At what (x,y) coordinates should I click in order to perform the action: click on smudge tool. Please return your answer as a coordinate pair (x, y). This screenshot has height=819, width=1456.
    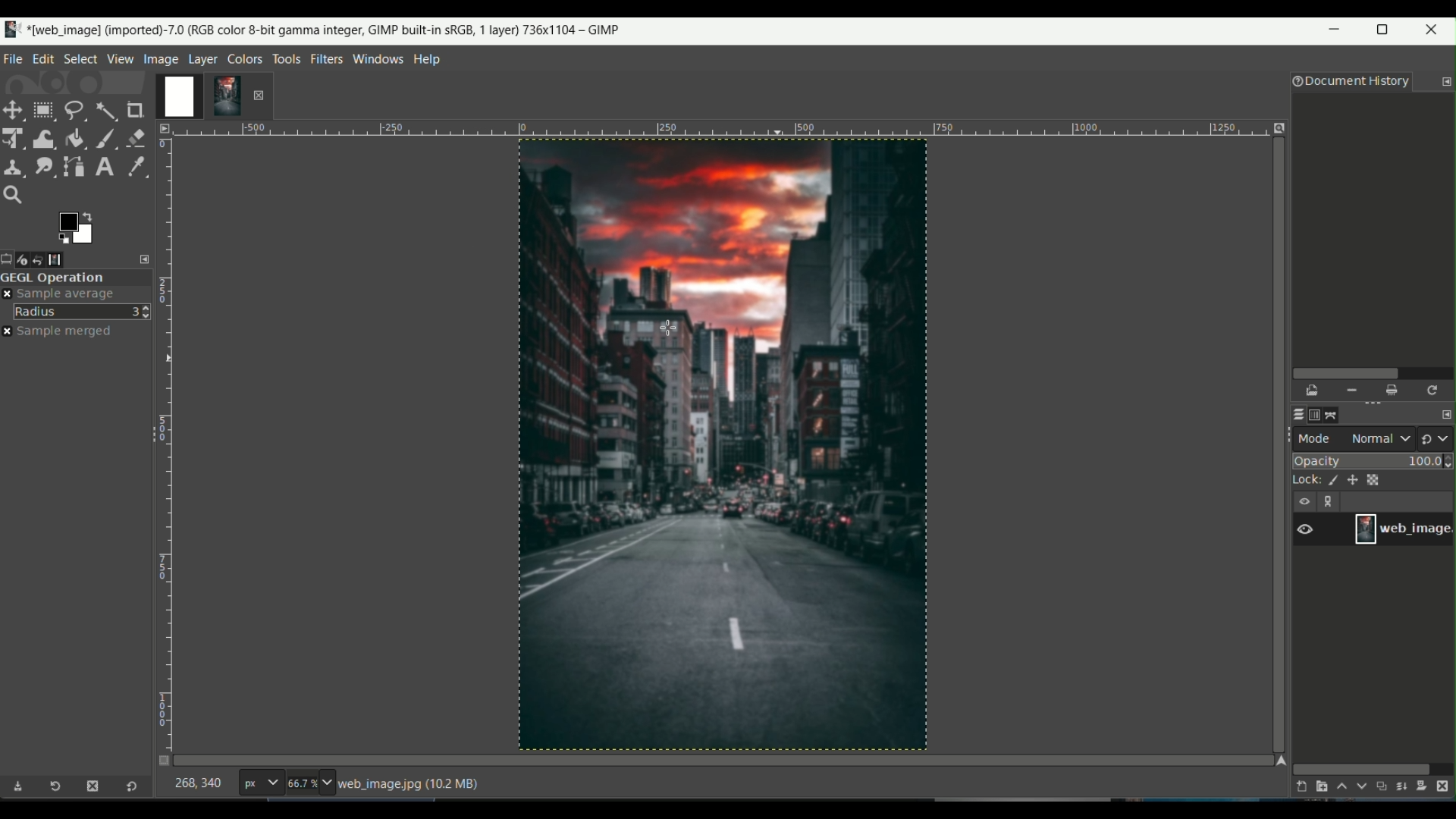
    Looking at the image, I should click on (43, 166).